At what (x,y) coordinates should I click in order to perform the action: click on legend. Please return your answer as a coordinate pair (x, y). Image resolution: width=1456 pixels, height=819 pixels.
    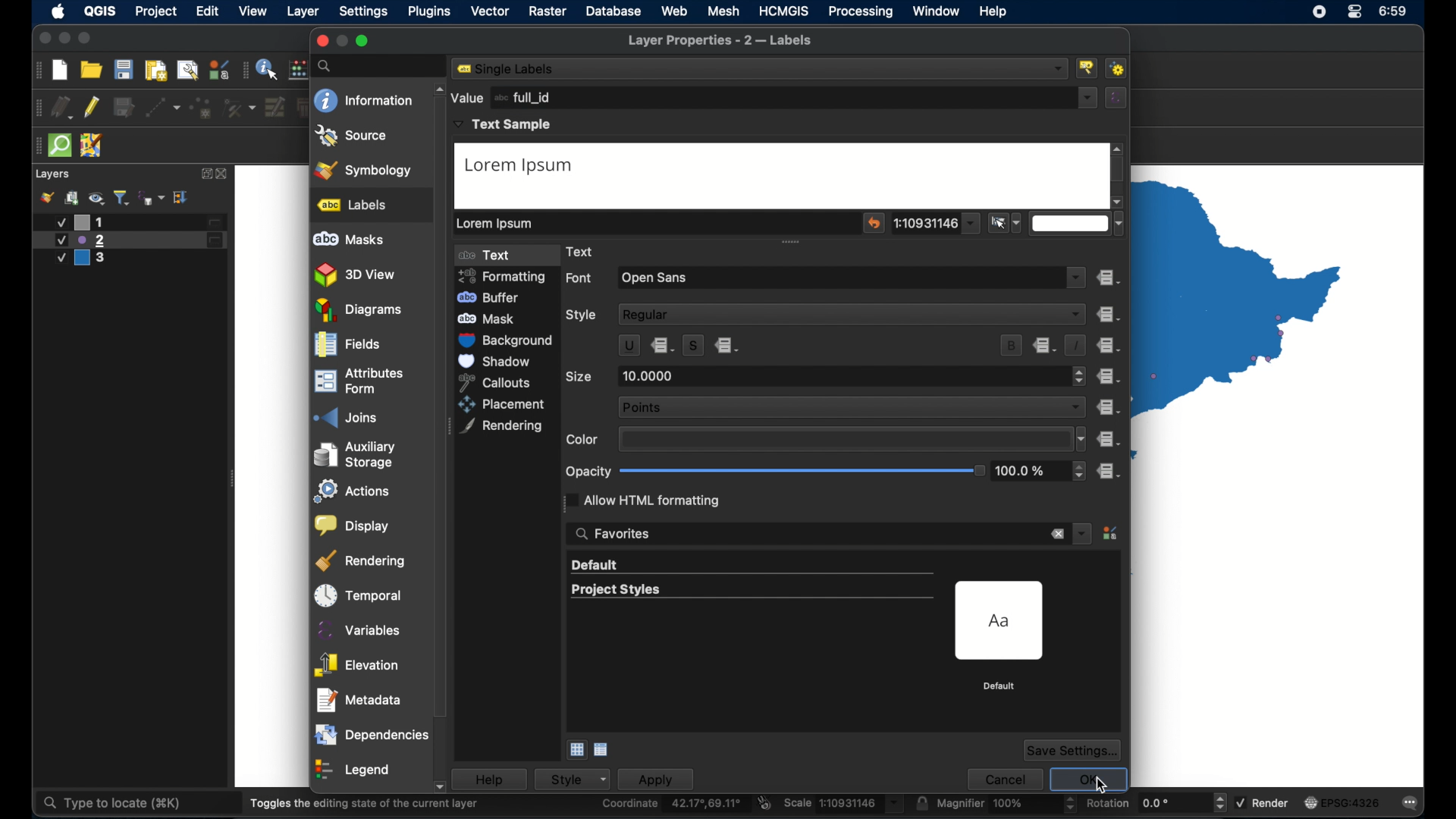
    Looking at the image, I should click on (354, 767).